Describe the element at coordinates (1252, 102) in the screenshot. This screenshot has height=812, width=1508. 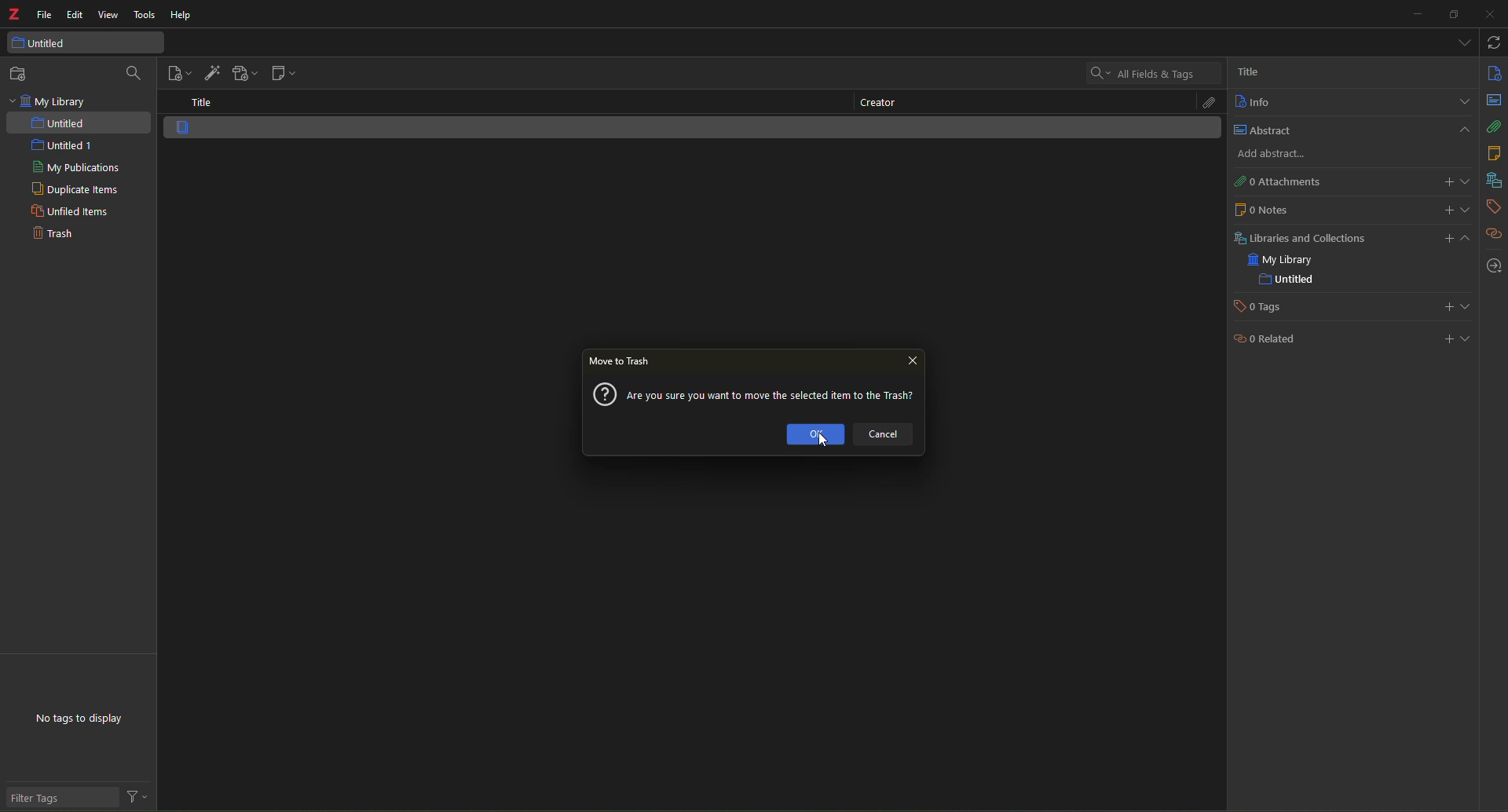
I see `info` at that location.